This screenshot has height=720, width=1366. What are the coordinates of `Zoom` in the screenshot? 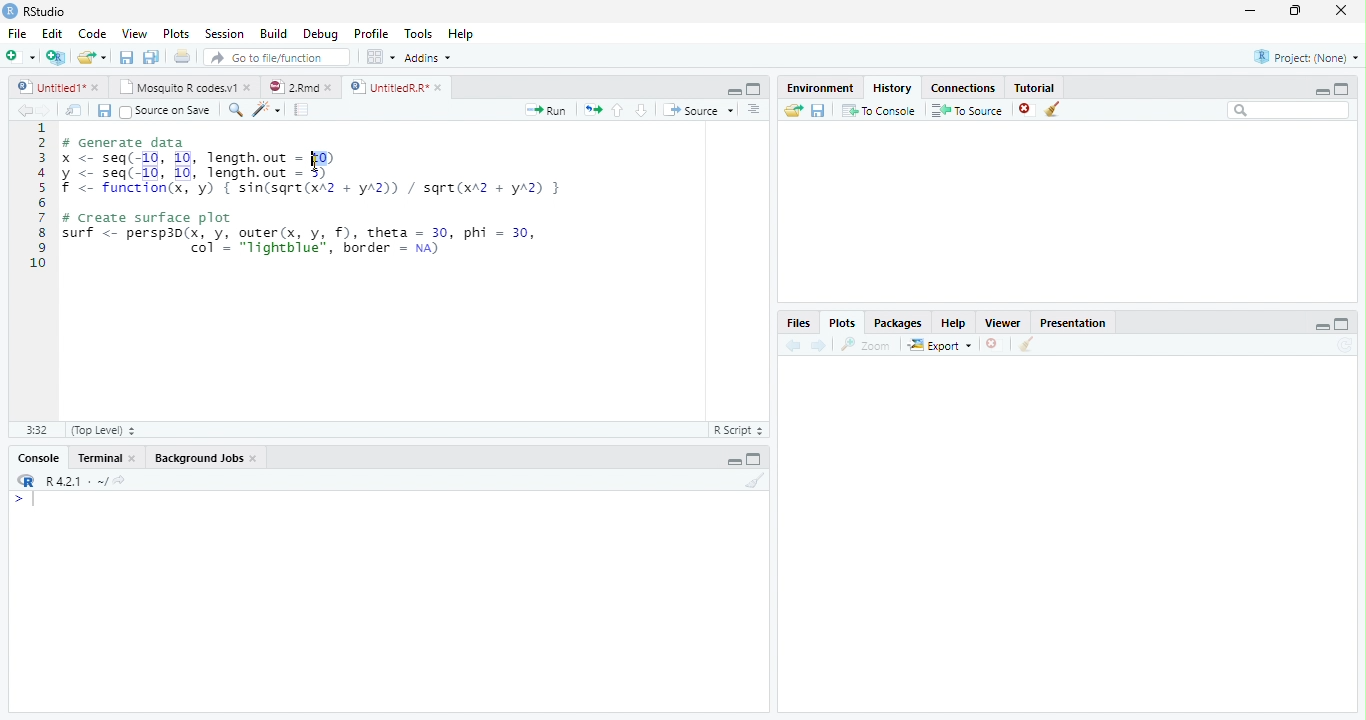 It's located at (865, 345).